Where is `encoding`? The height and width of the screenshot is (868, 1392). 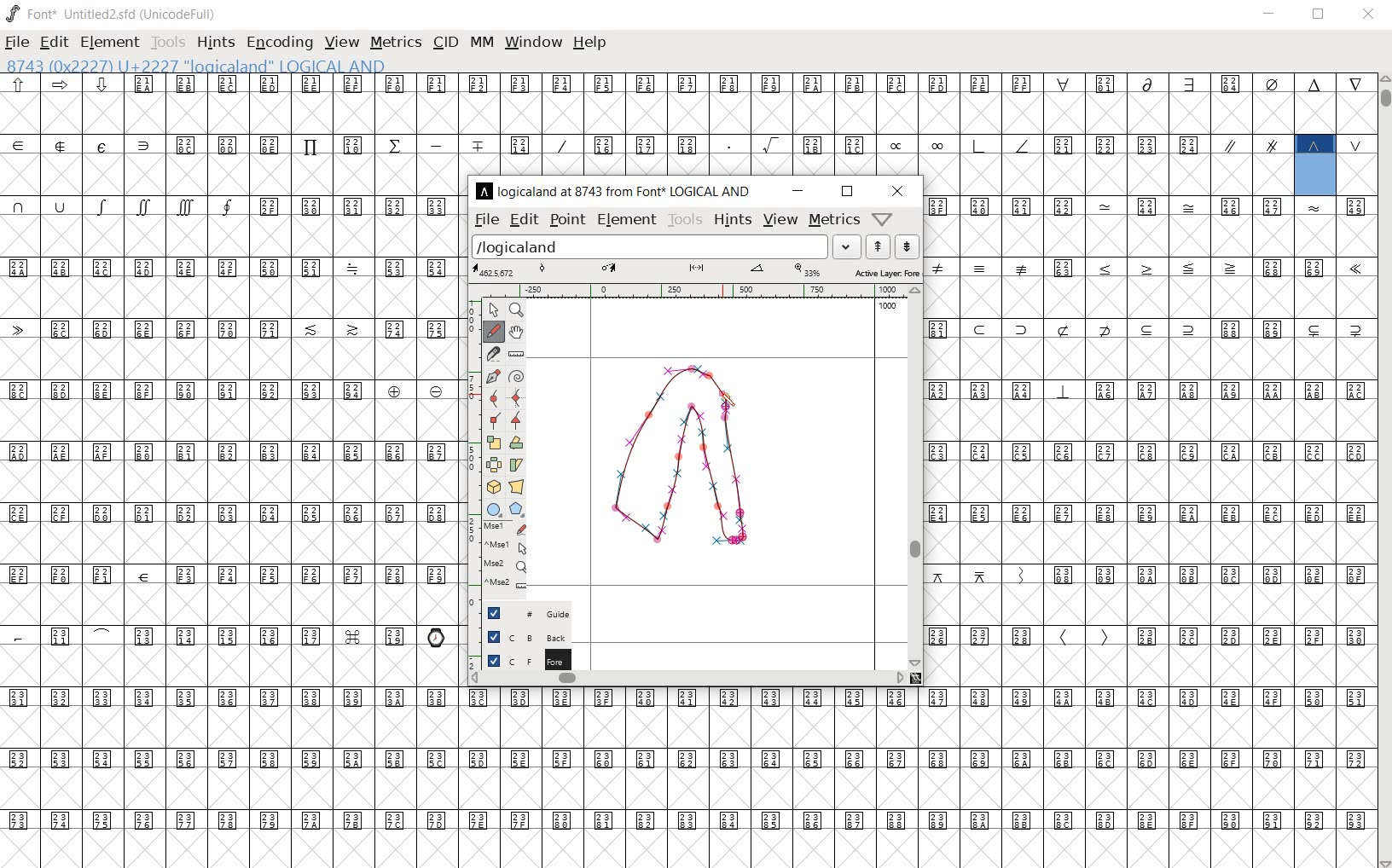 encoding is located at coordinates (281, 43).